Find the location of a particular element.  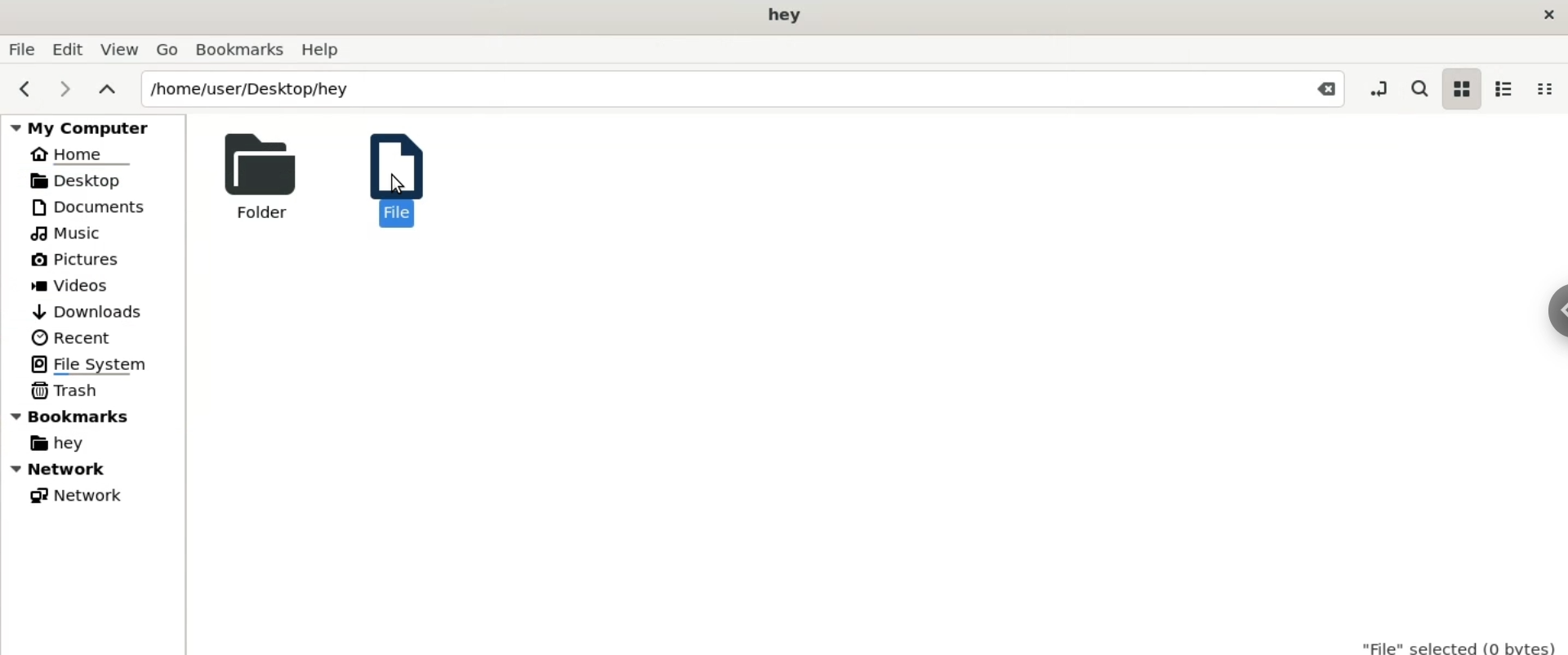

search is located at coordinates (1418, 90).